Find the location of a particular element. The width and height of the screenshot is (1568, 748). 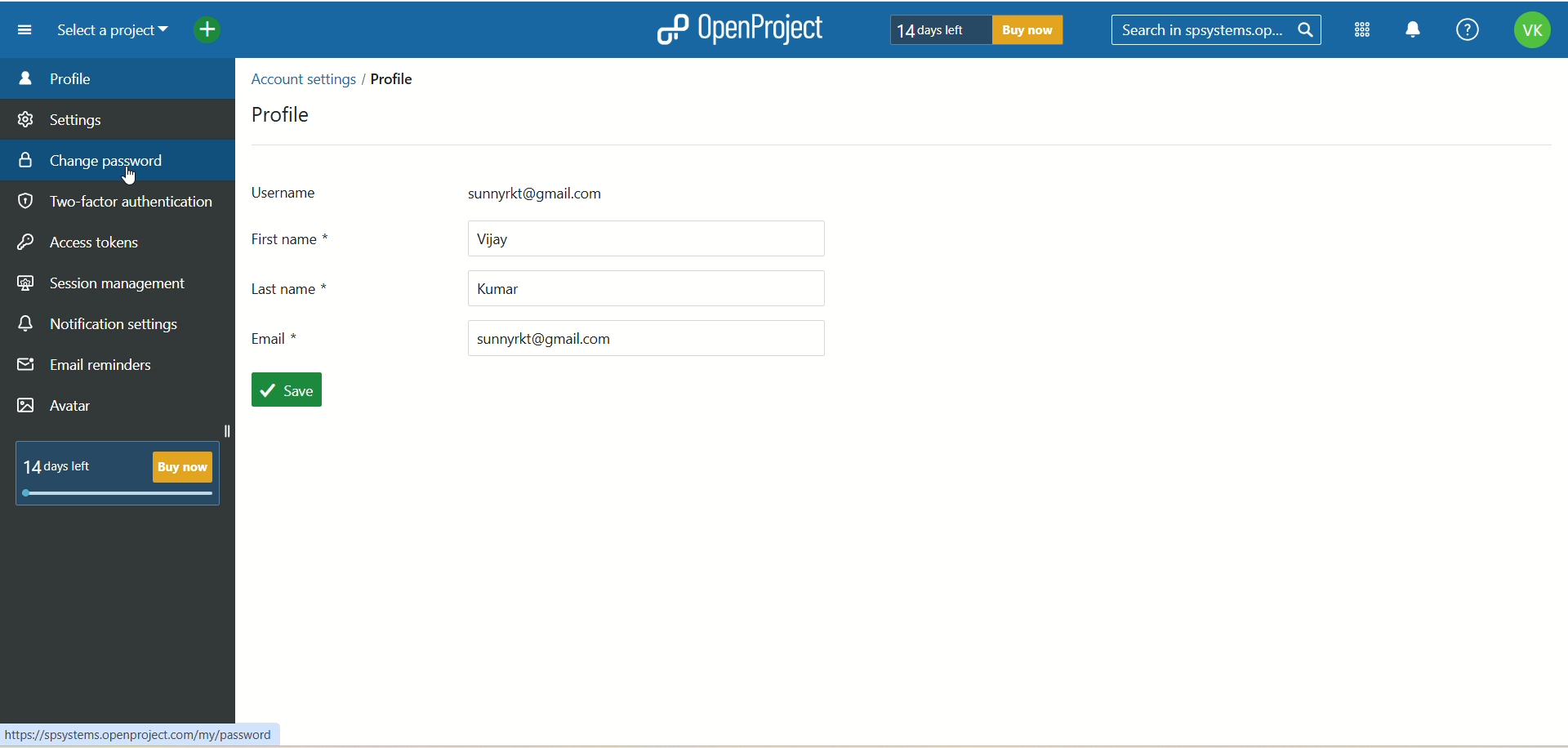

URL is located at coordinates (138, 733).